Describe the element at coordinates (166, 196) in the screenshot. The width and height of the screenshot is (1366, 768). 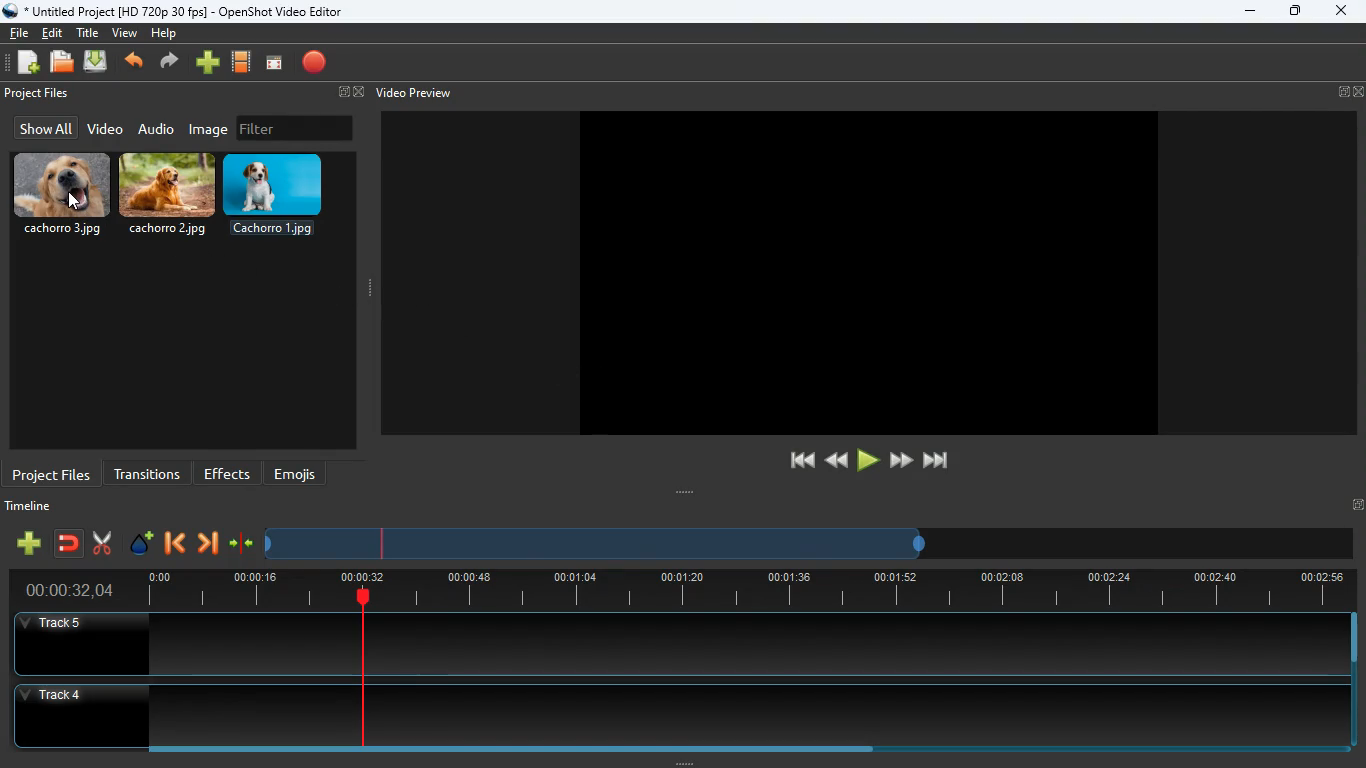
I see `cachorro.2.jpg` at that location.